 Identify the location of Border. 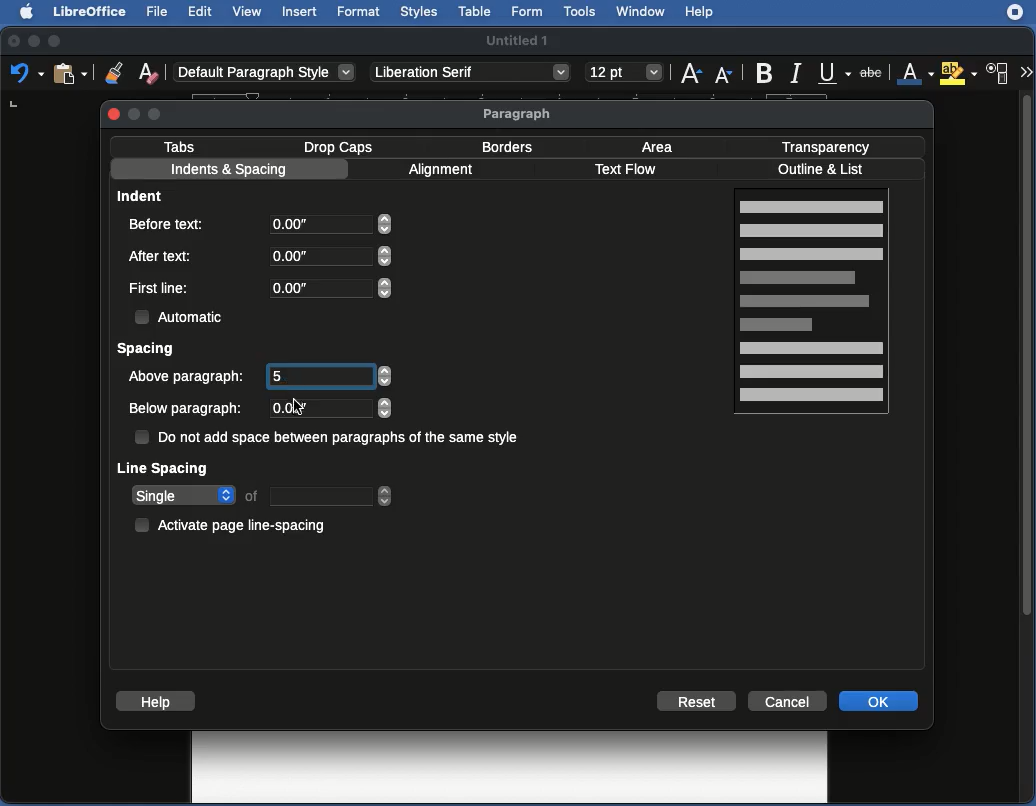
(508, 147).